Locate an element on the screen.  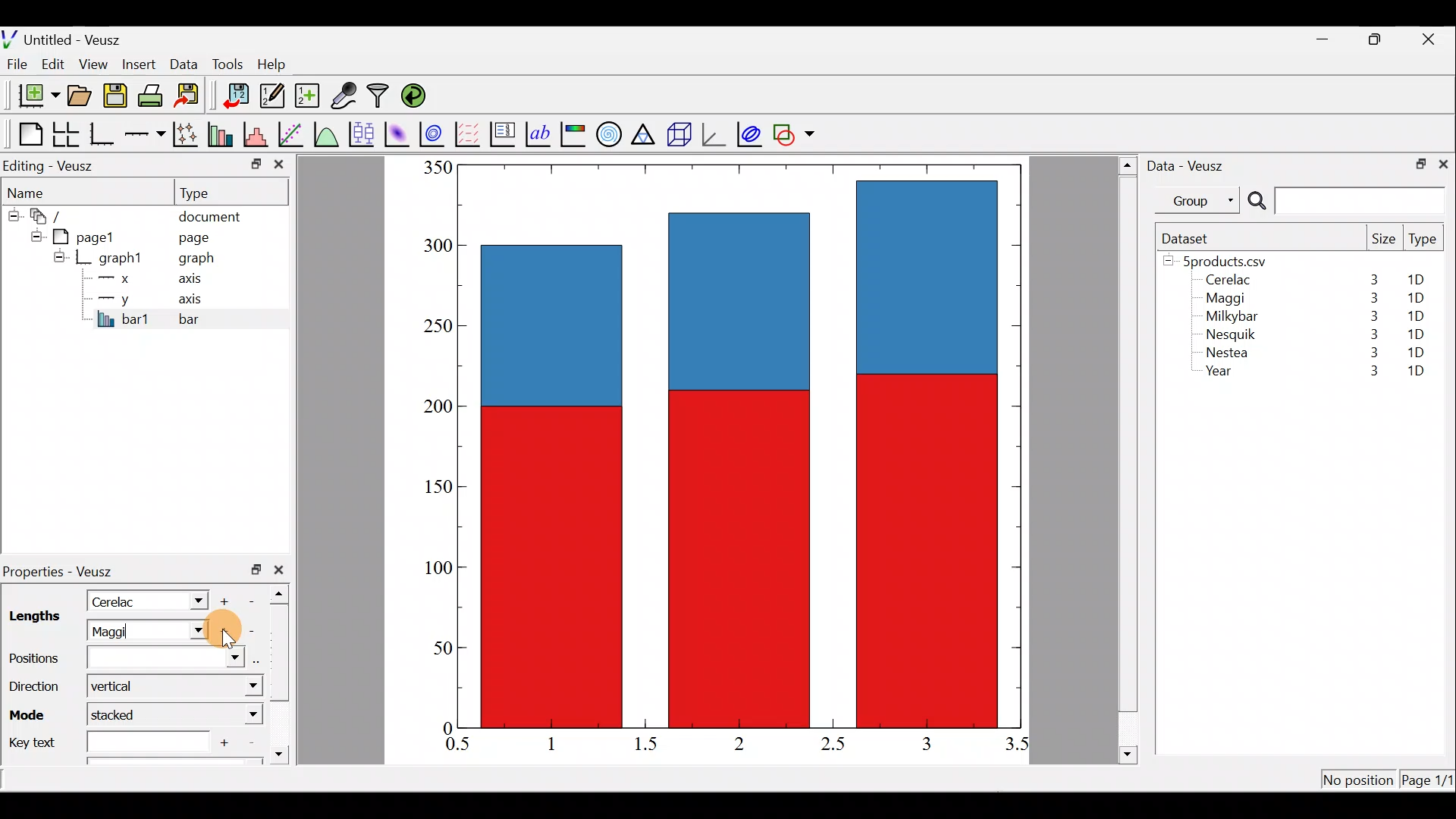
3 is located at coordinates (1373, 279).